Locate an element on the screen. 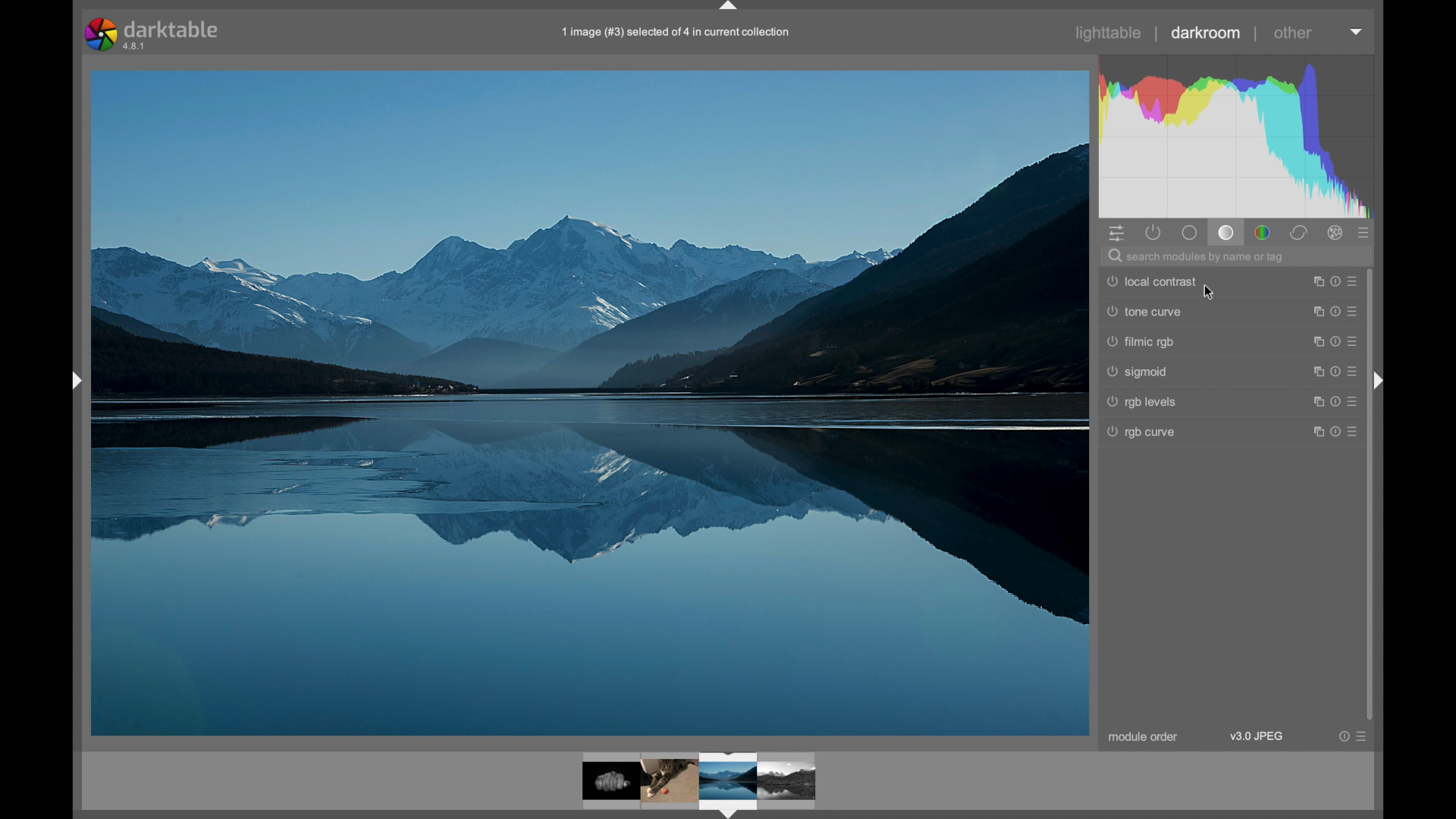 The width and height of the screenshot is (1456, 819). photo is located at coordinates (586, 403).